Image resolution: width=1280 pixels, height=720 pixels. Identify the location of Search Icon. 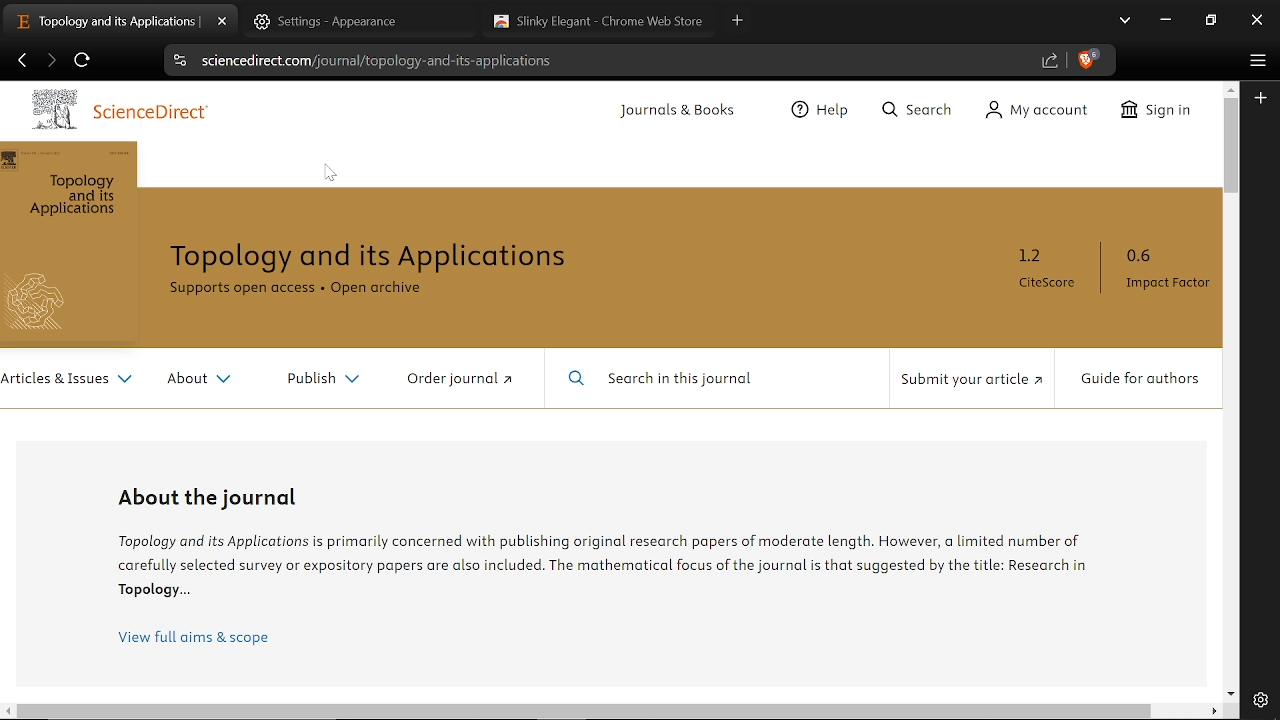
(577, 379).